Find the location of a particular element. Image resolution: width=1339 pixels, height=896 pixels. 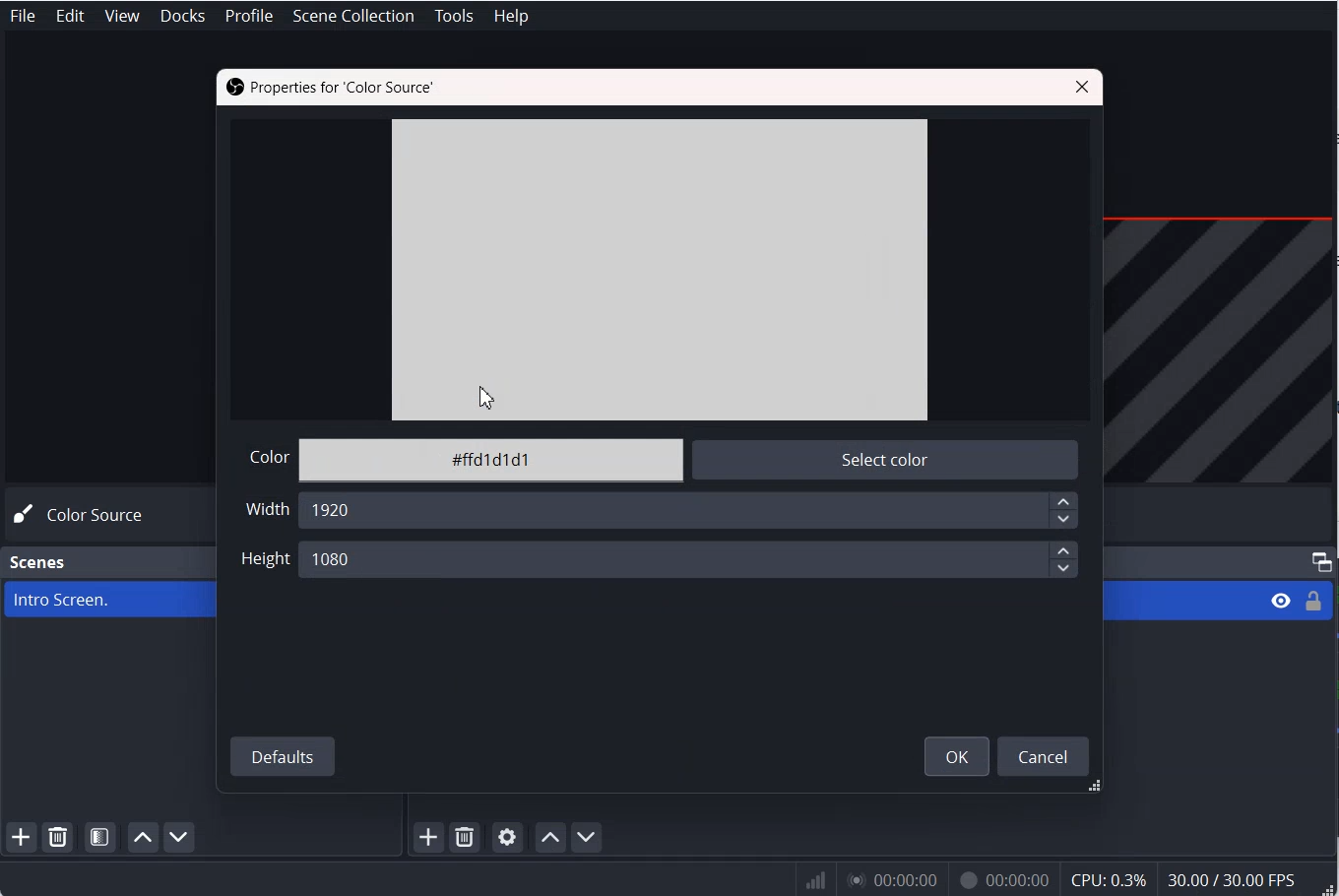

Move Source Down is located at coordinates (587, 837).